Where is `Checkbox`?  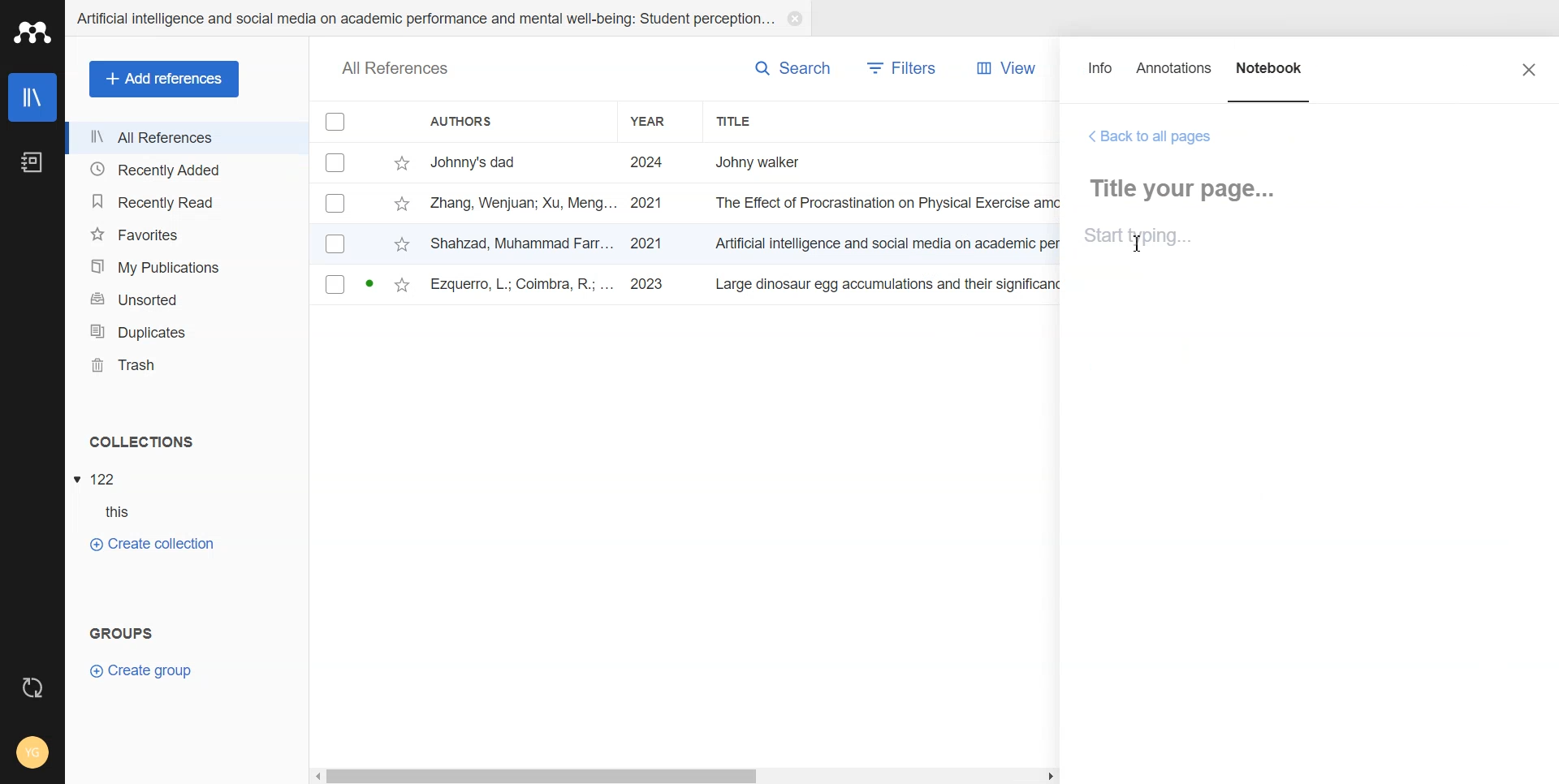 Checkbox is located at coordinates (336, 243).